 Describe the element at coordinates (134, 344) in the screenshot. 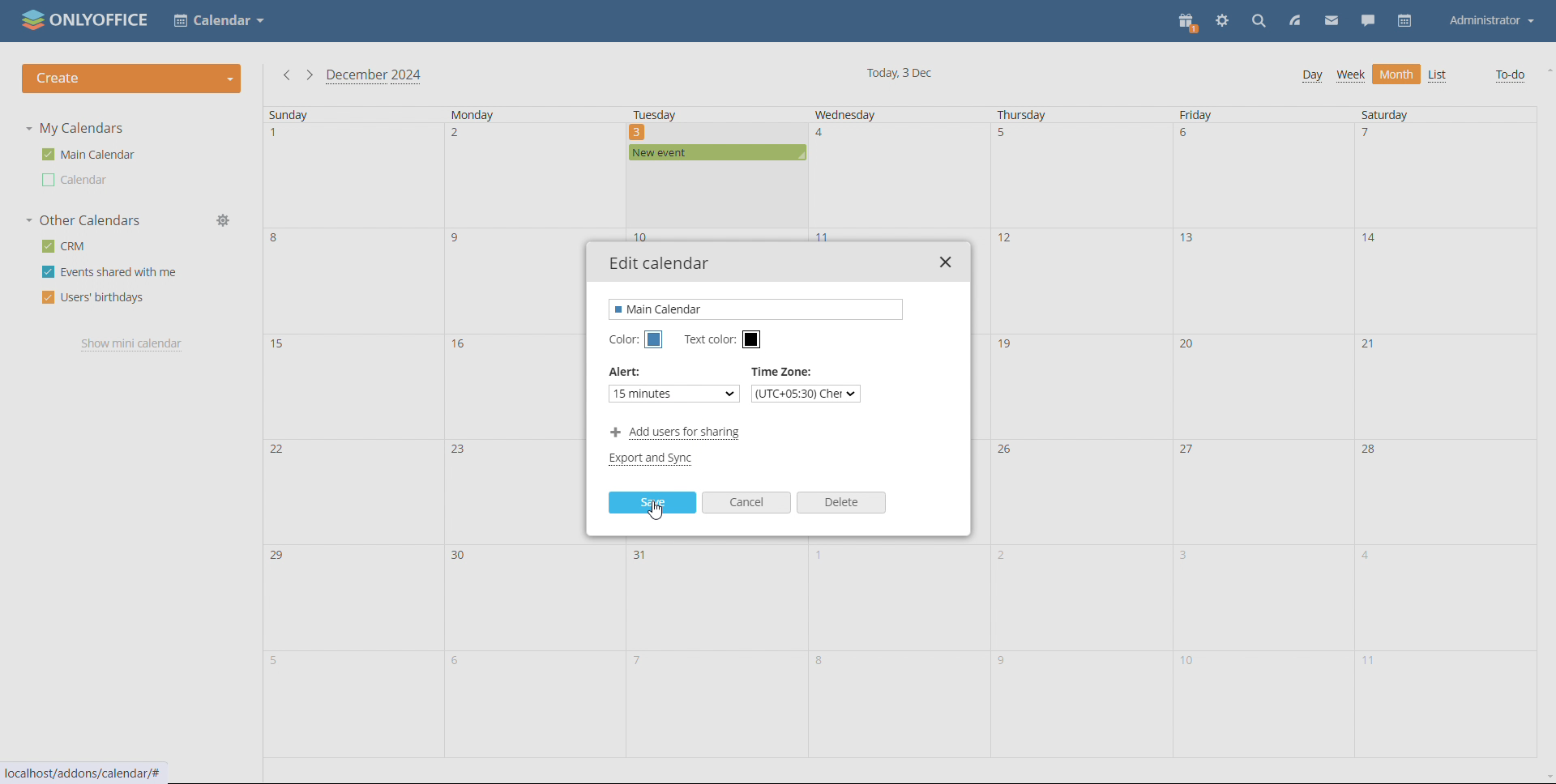

I see `show mini calendar` at that location.